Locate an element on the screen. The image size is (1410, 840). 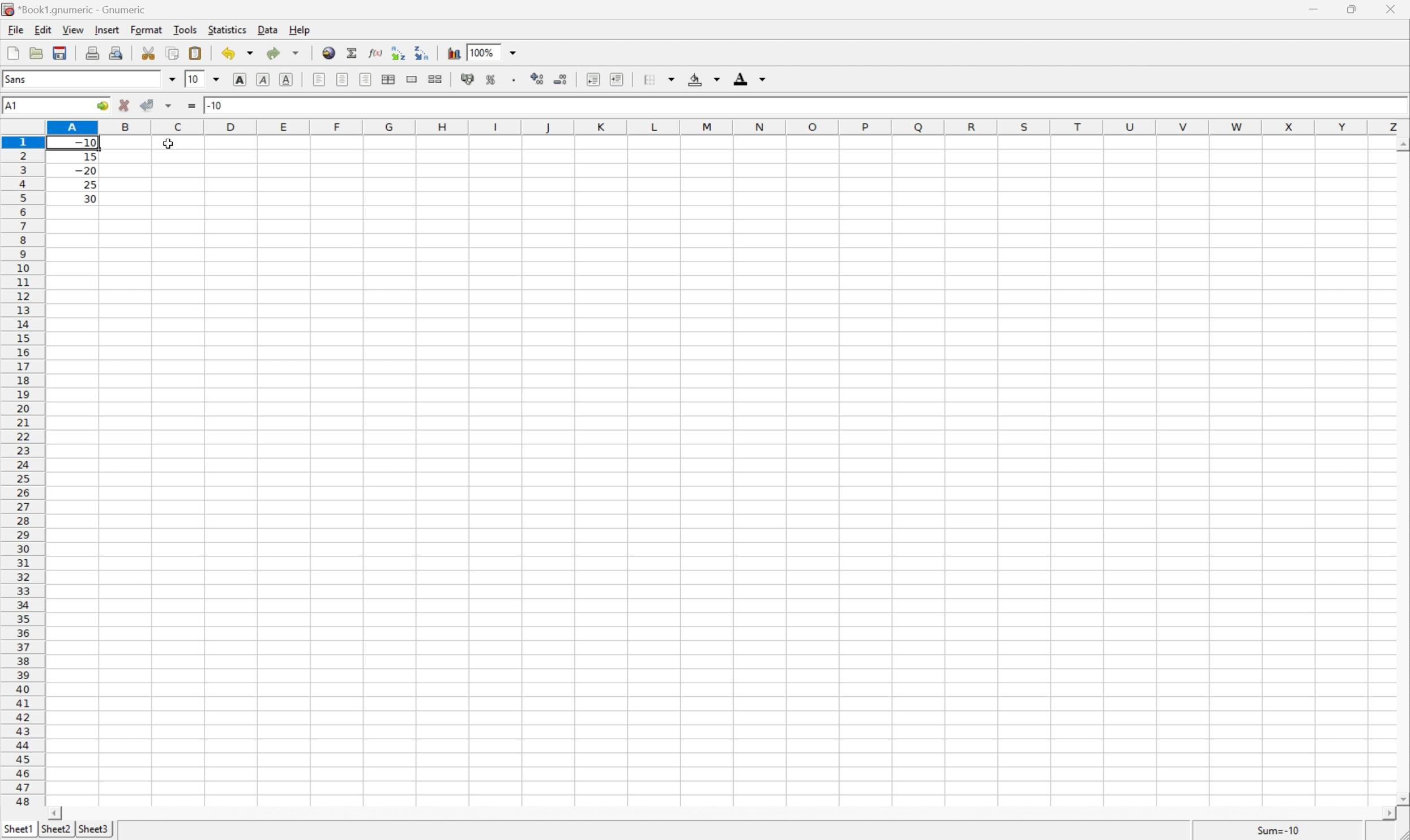
Insert hyperlink is located at coordinates (327, 52).